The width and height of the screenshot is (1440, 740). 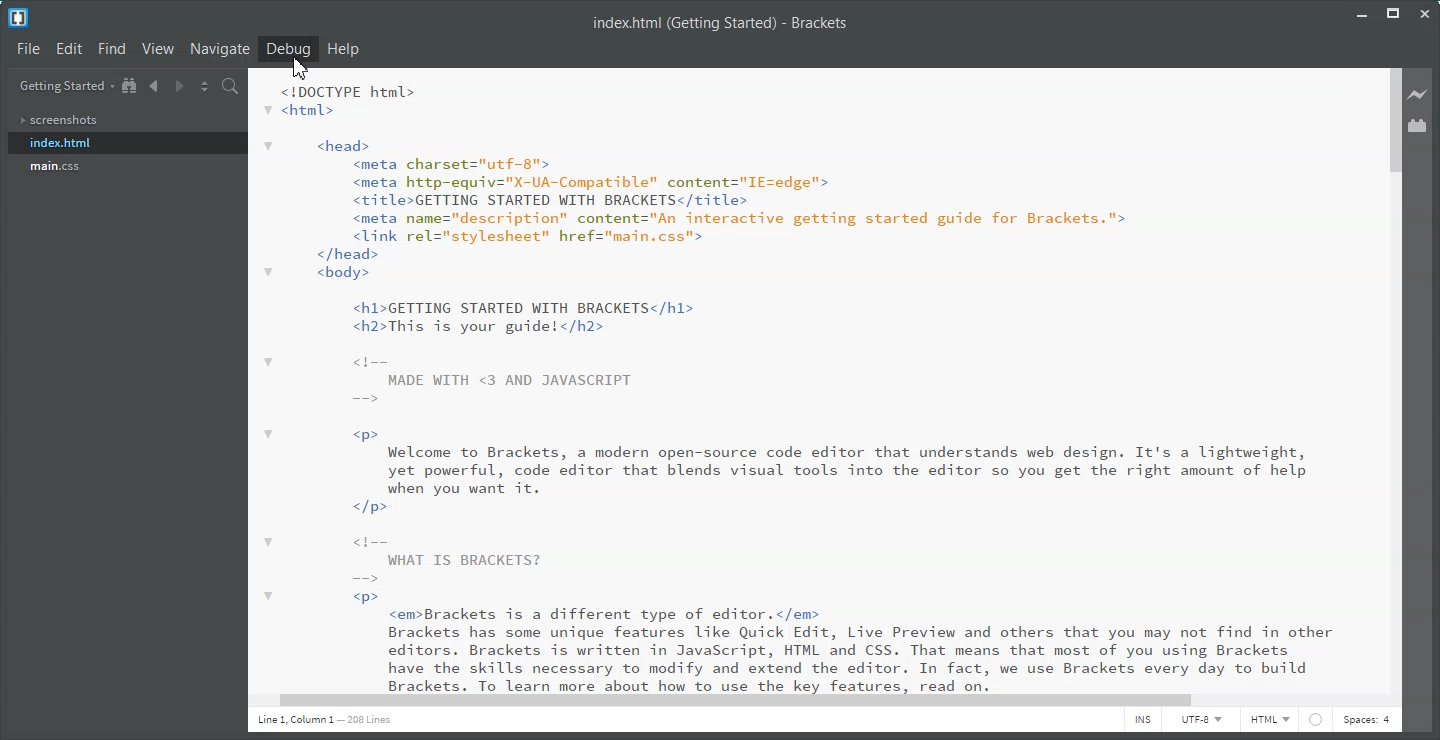 I want to click on Navigate Forward, so click(x=177, y=87).